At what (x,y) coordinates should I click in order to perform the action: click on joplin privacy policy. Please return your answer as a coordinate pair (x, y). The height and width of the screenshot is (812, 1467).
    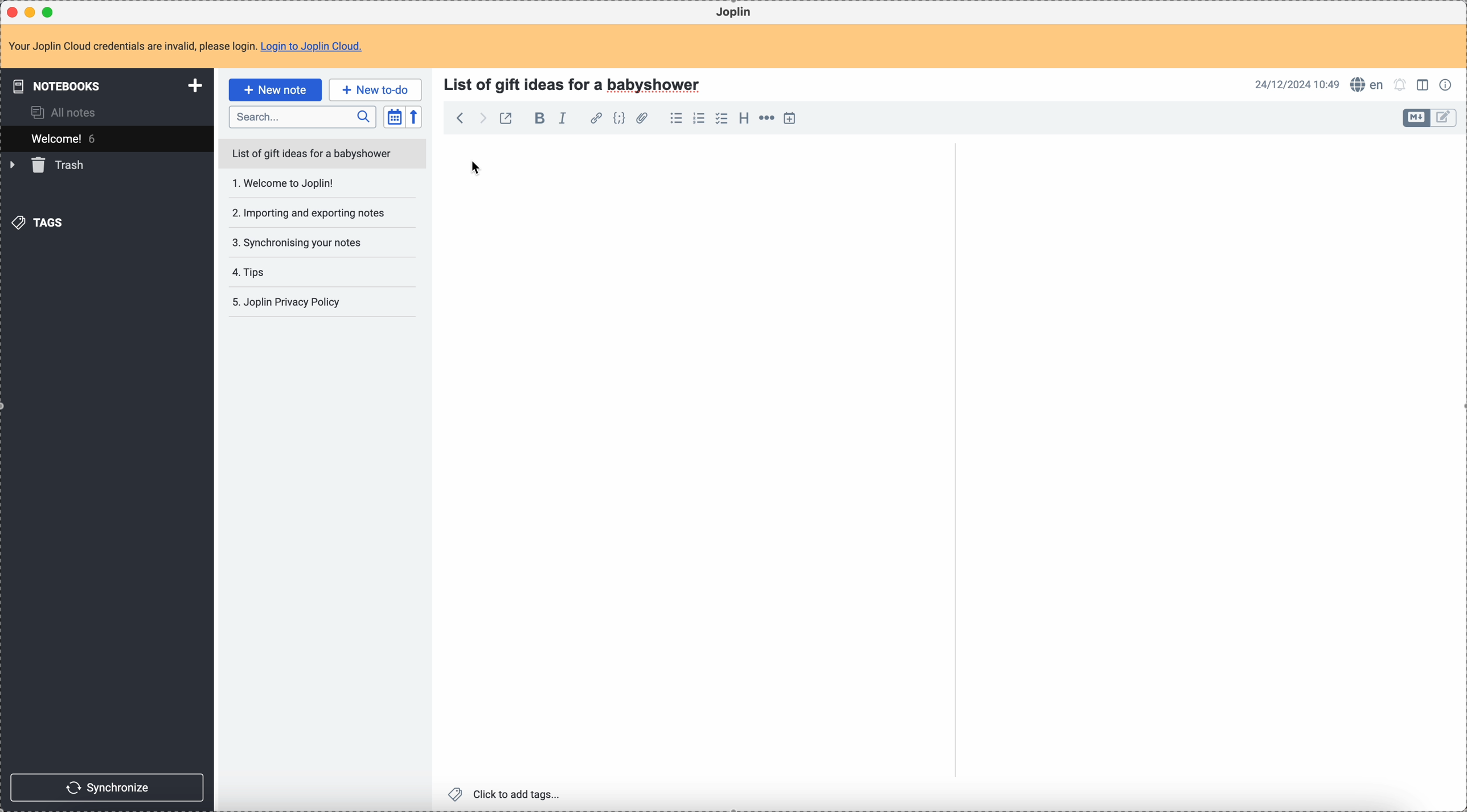
    Looking at the image, I should click on (290, 304).